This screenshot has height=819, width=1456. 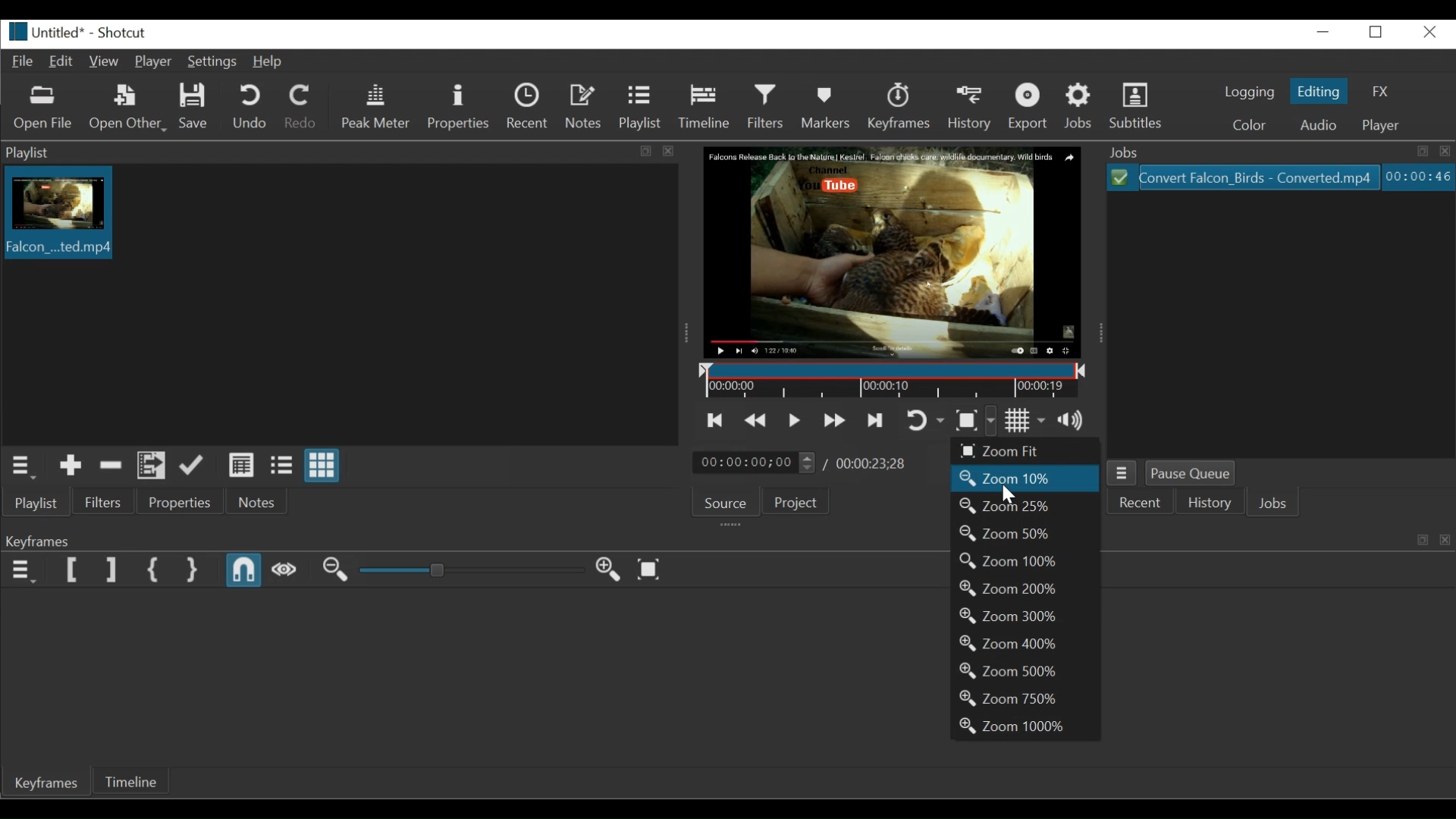 What do you see at coordinates (585, 106) in the screenshot?
I see `Notes` at bounding box center [585, 106].